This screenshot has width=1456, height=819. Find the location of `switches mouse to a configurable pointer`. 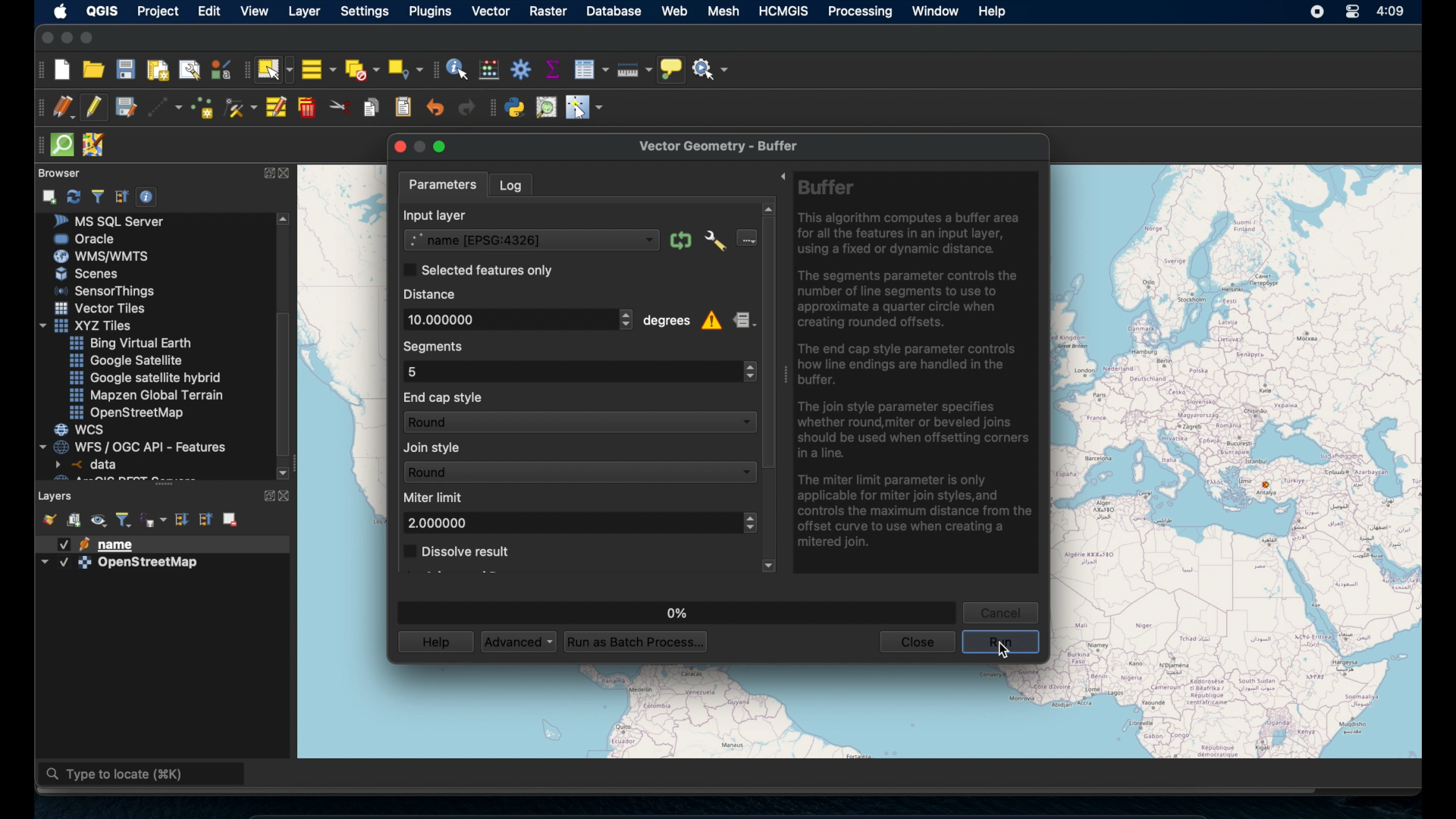

switches mouse to a configurable pointer is located at coordinates (584, 108).